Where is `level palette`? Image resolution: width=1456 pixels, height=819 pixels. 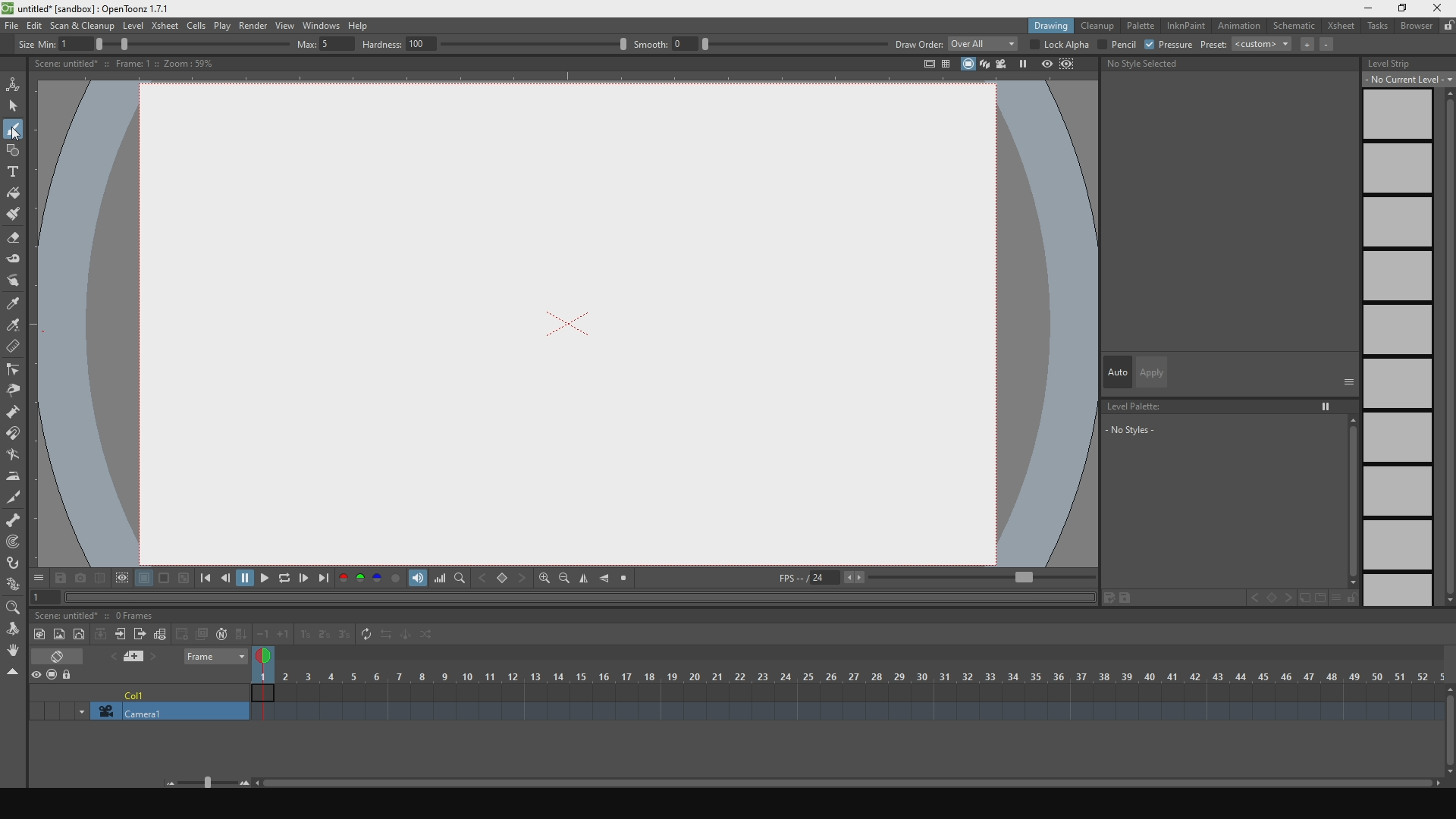
level palette is located at coordinates (1228, 405).